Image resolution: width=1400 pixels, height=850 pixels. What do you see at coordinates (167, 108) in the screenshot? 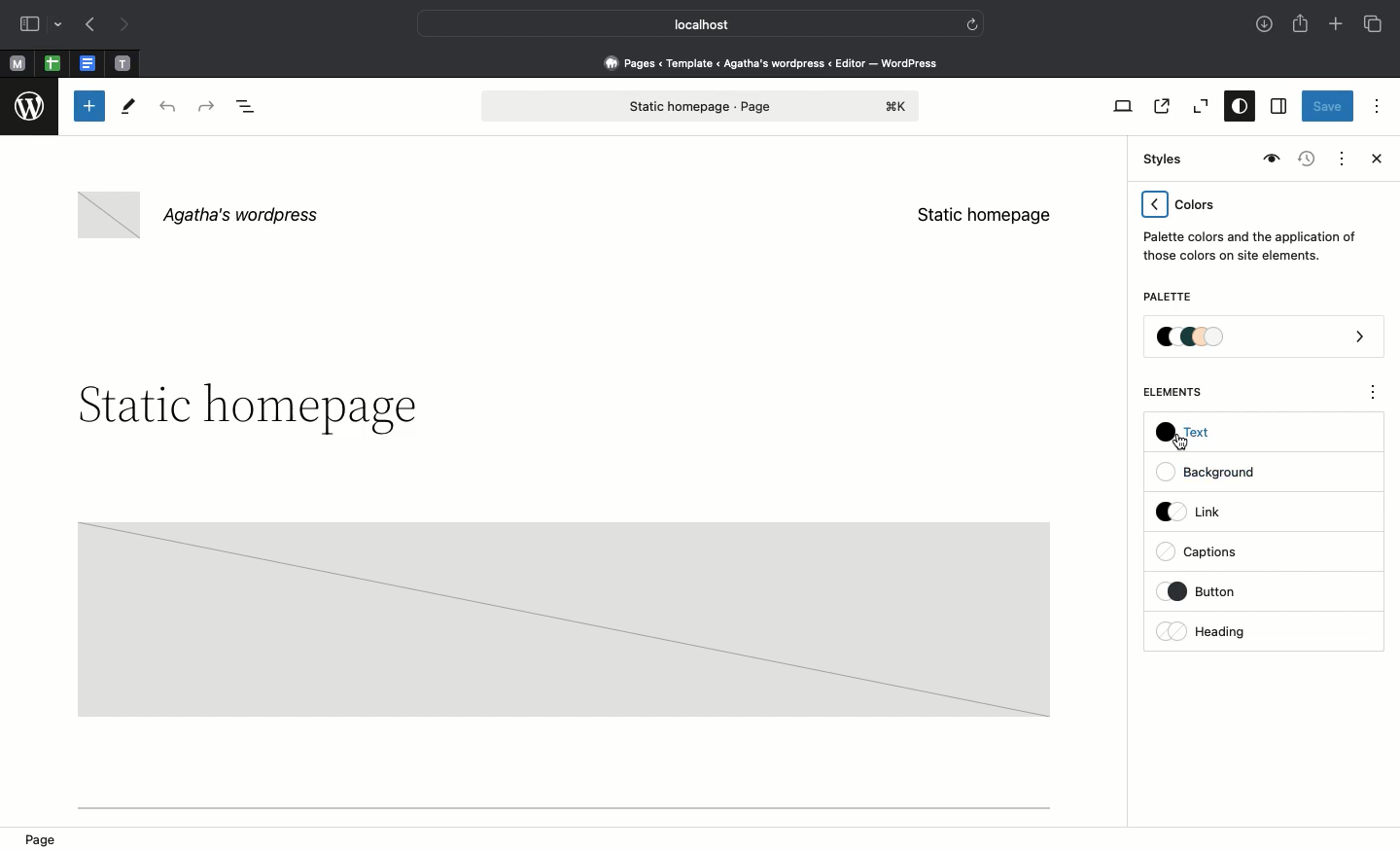
I see `Undo` at bounding box center [167, 108].